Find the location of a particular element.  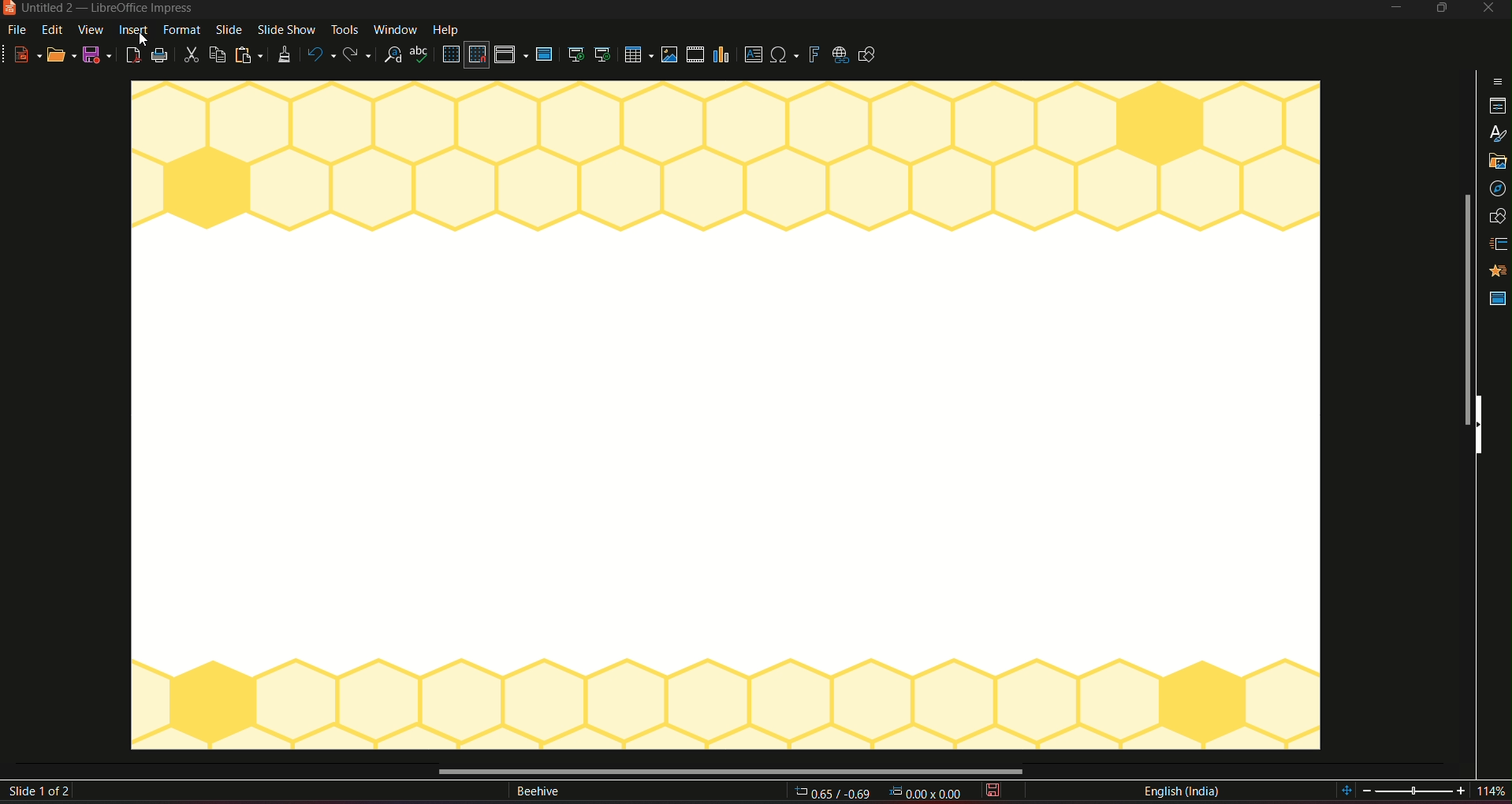

properties is located at coordinates (1496, 106).